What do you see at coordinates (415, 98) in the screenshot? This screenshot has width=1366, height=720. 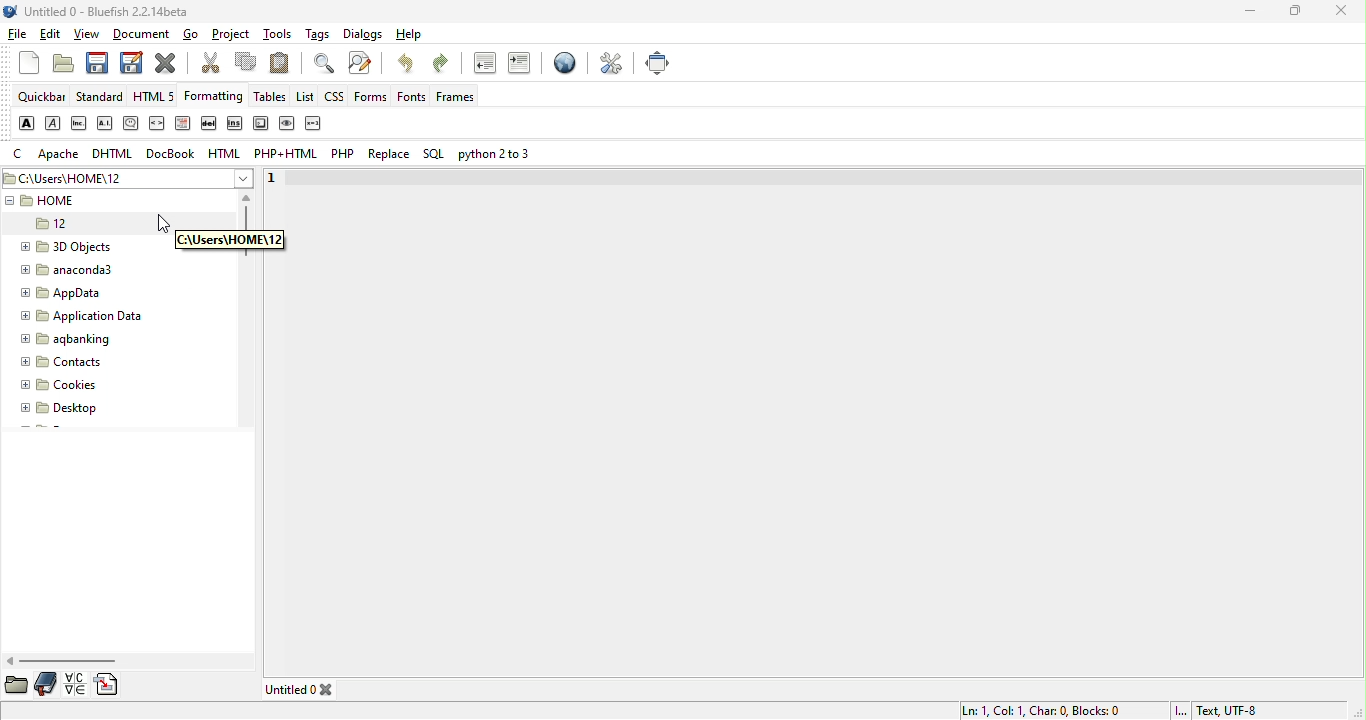 I see `fonts` at bounding box center [415, 98].